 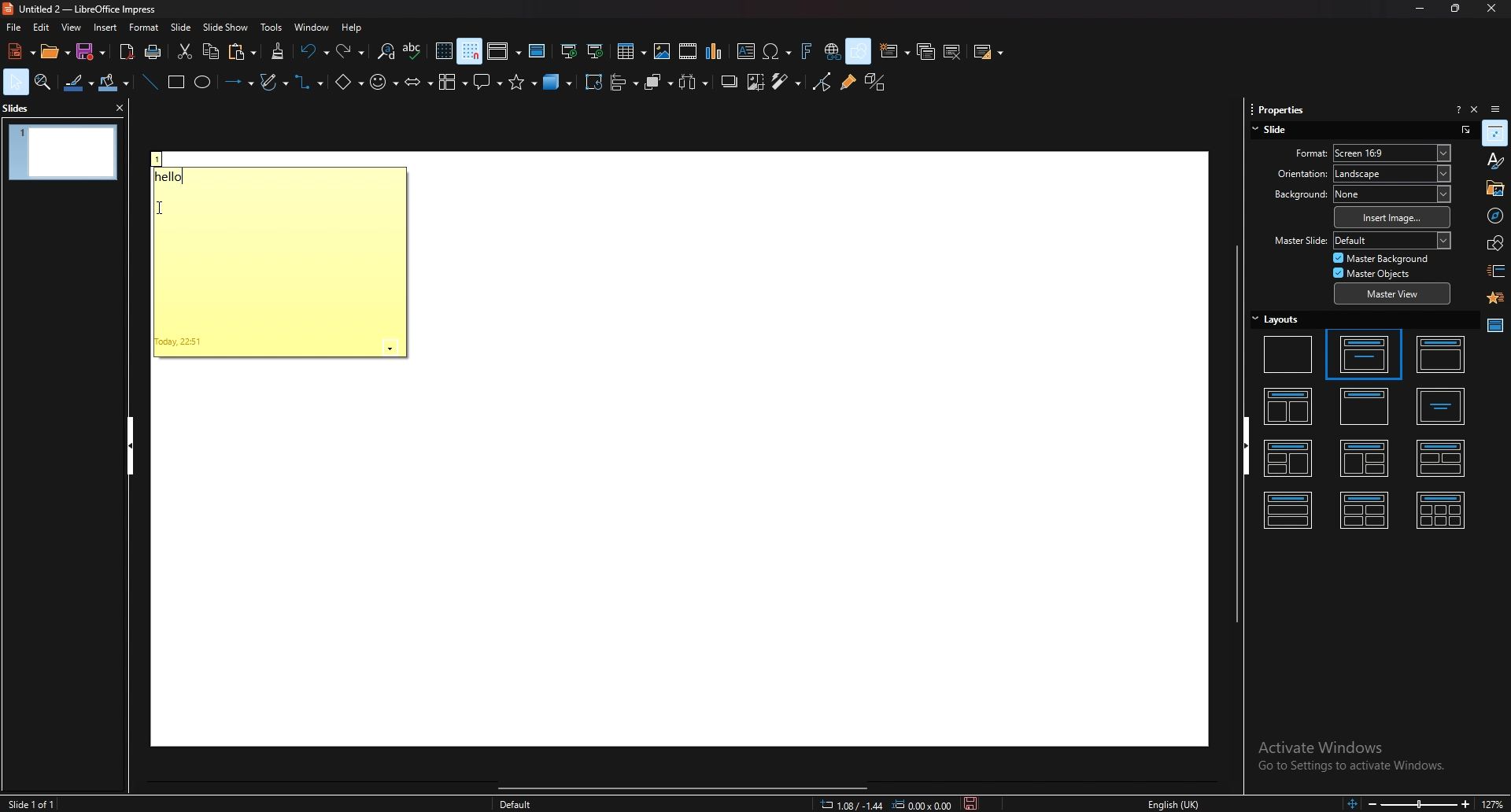 I want to click on stars and banners, so click(x=523, y=86).